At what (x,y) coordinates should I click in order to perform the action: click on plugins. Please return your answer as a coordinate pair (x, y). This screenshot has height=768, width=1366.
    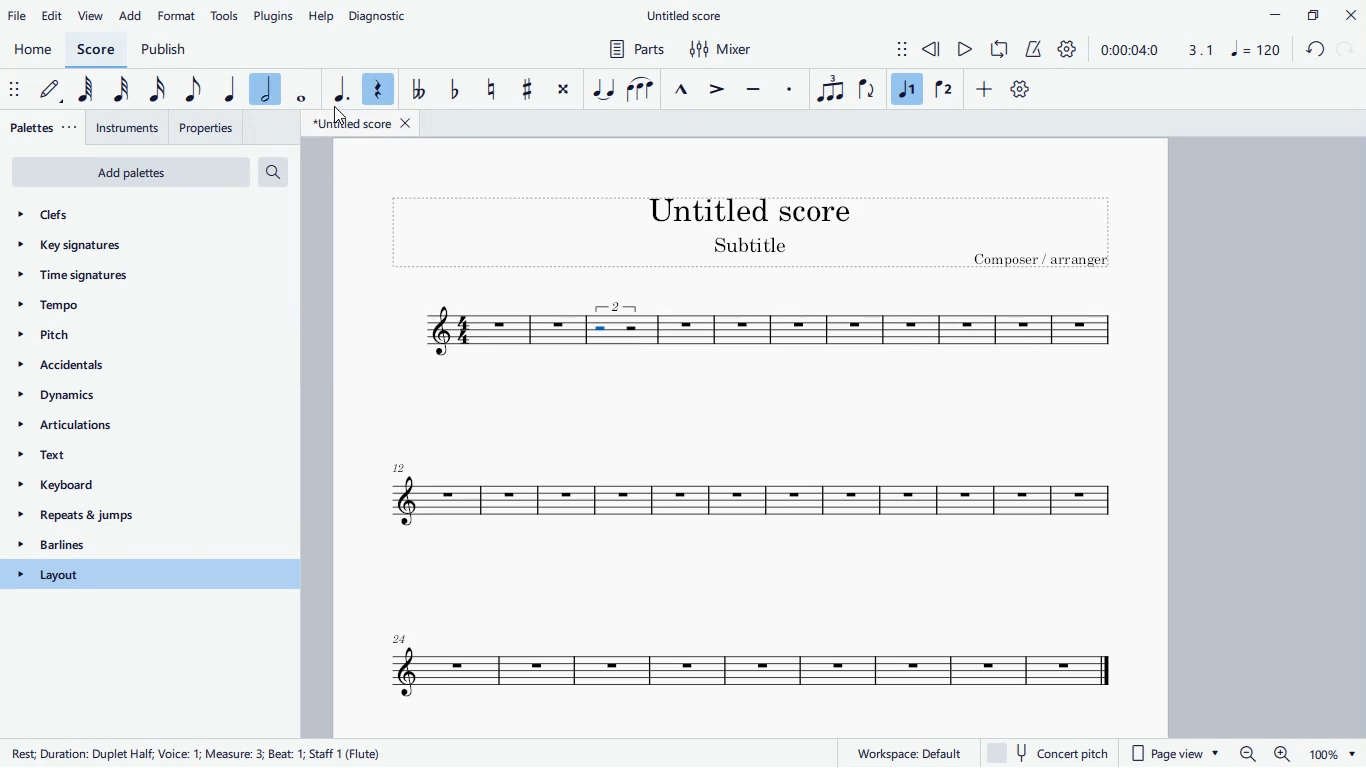
    Looking at the image, I should click on (274, 16).